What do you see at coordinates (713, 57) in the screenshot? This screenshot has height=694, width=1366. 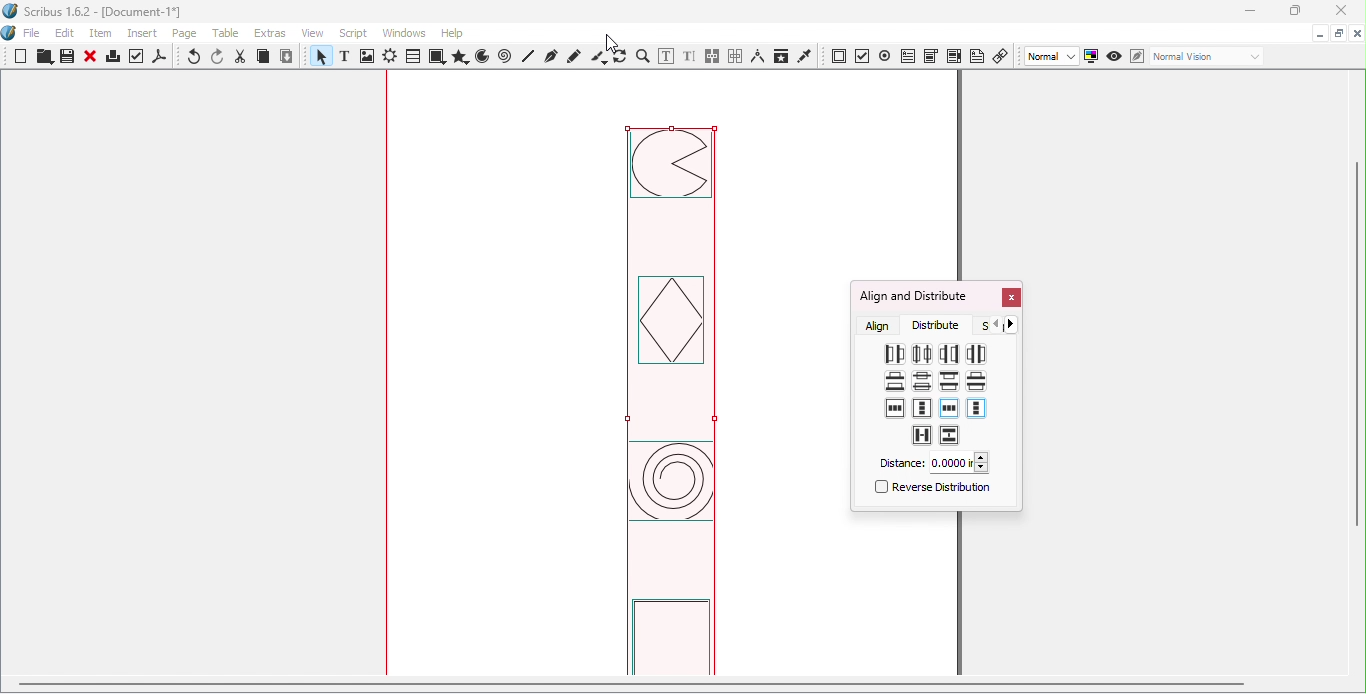 I see `Link text frames` at bounding box center [713, 57].